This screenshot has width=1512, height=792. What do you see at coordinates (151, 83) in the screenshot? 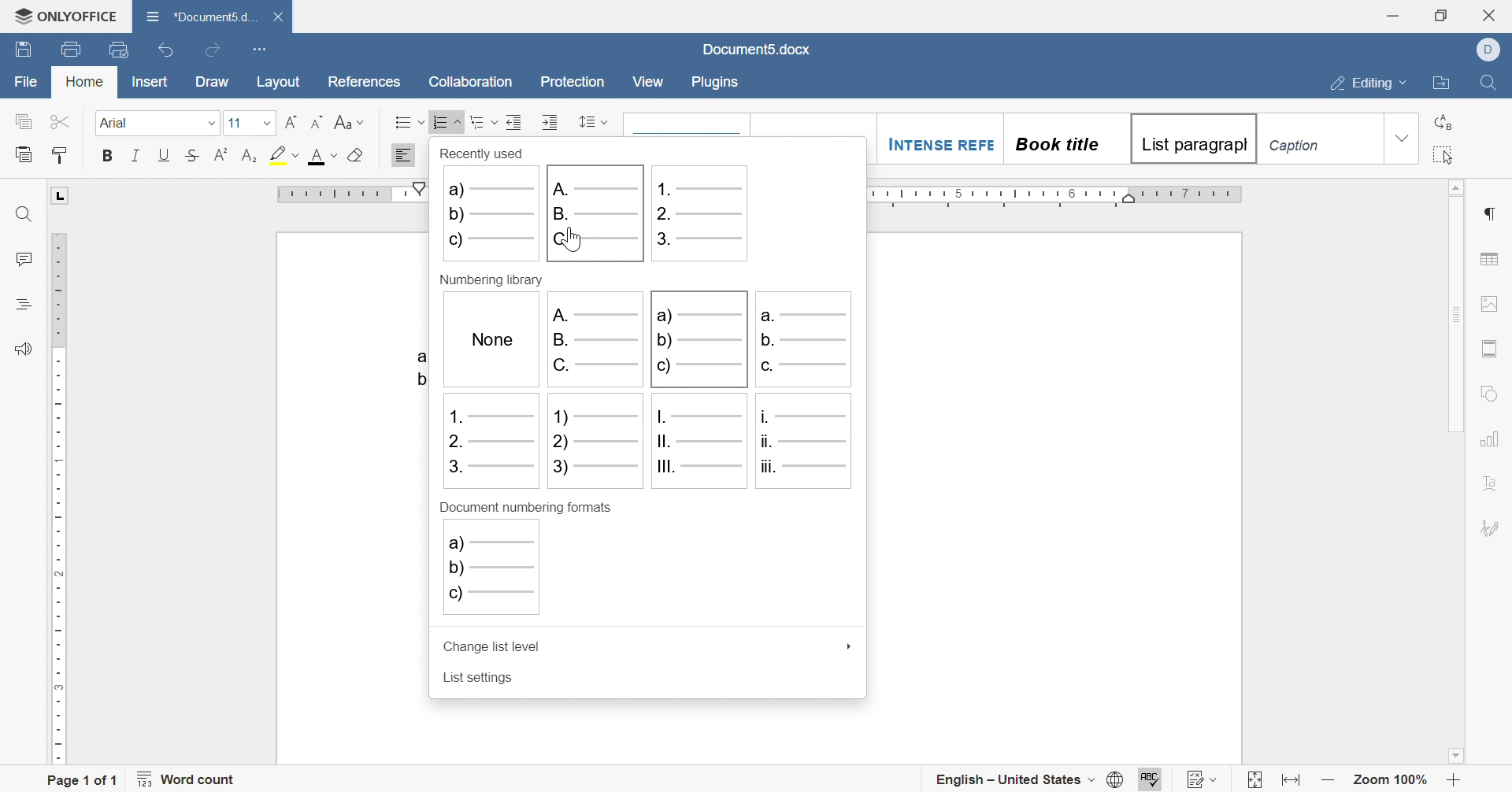
I see `insert` at bounding box center [151, 83].